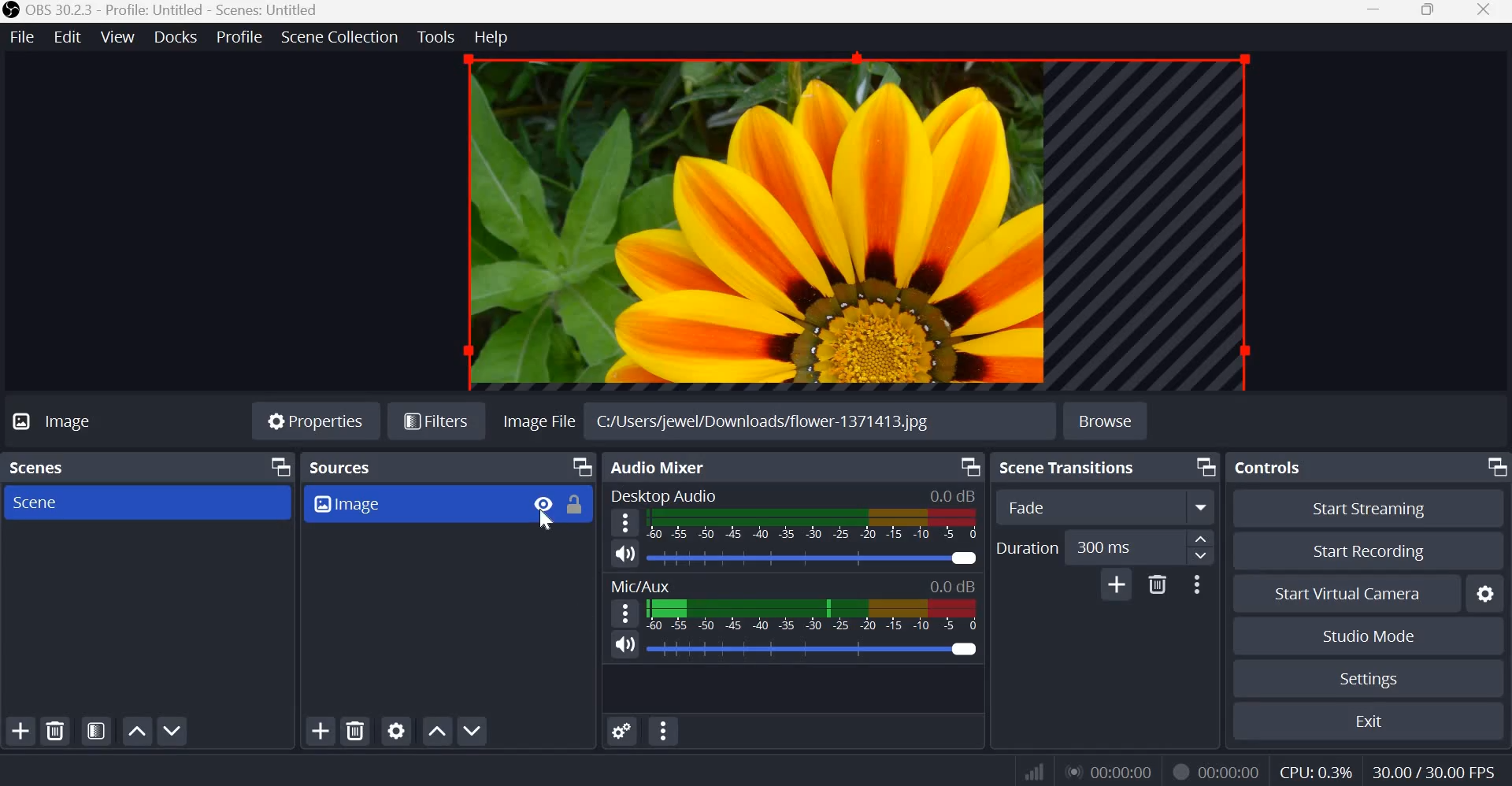 Image resolution: width=1512 pixels, height=786 pixels. Describe the element at coordinates (1033, 769) in the screenshot. I see `Connection Status Indicator` at that location.